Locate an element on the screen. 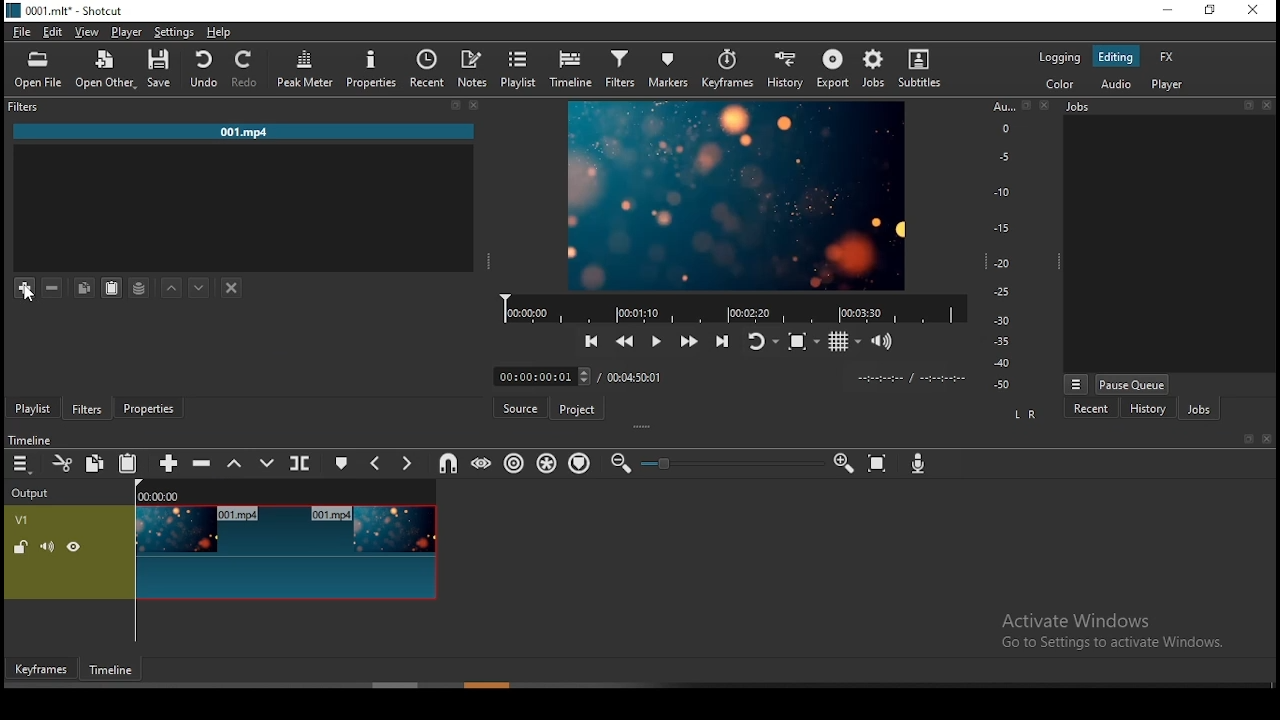 This screenshot has width=1280, height=720. player is located at coordinates (1169, 84).